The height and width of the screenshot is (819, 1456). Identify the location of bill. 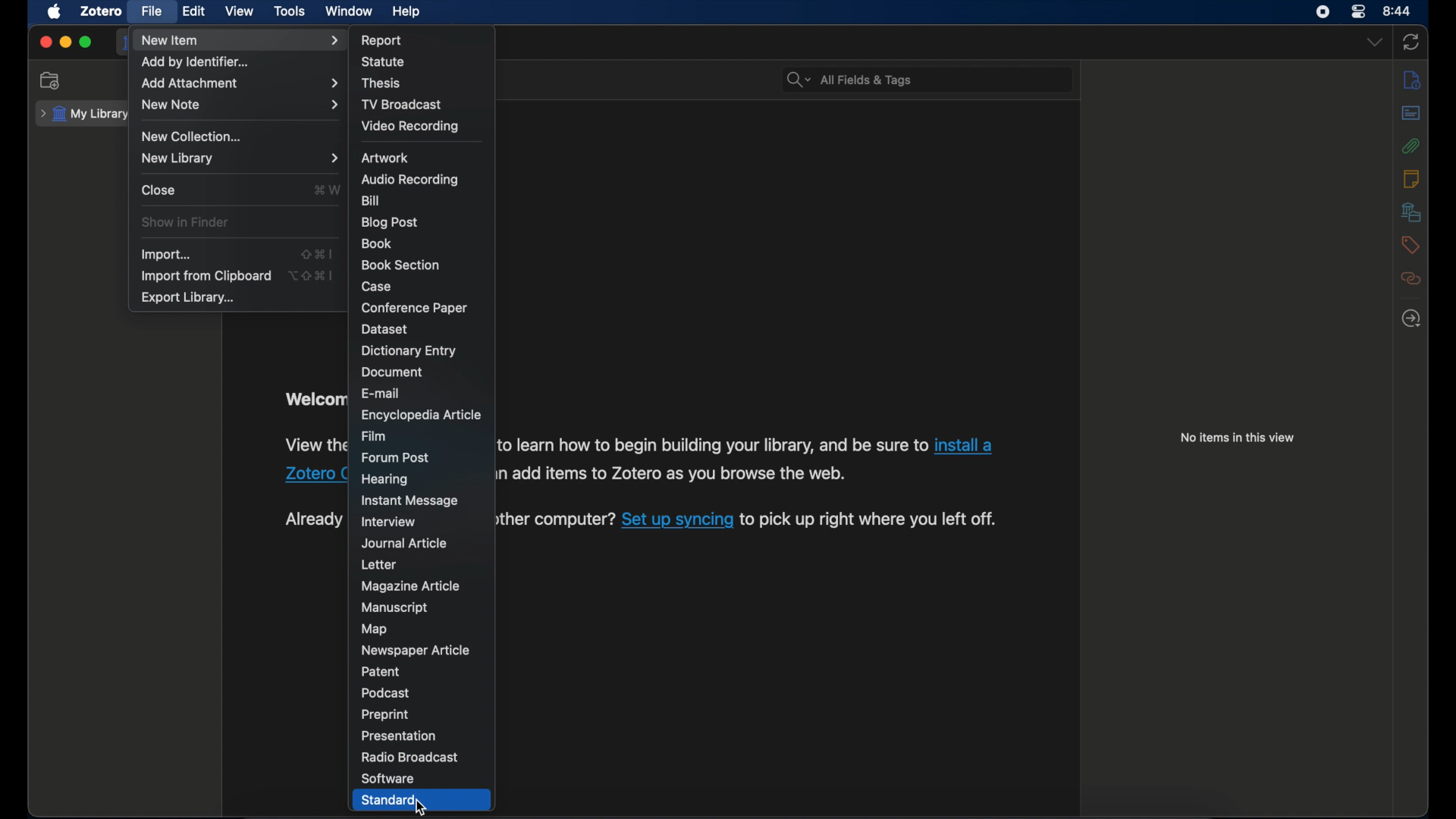
(372, 200).